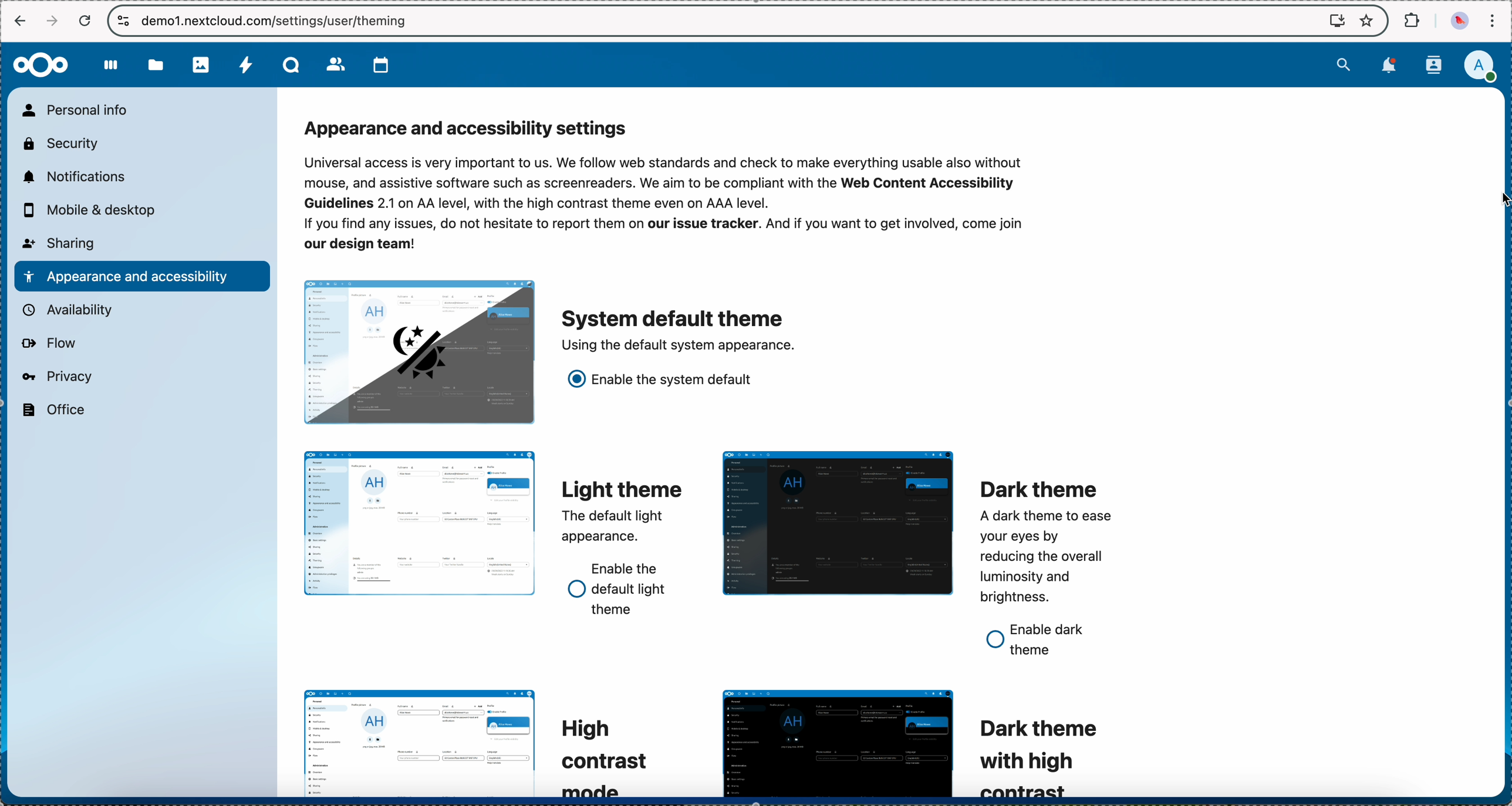 The width and height of the screenshot is (1512, 806). What do you see at coordinates (289, 66) in the screenshot?
I see `Talk` at bounding box center [289, 66].